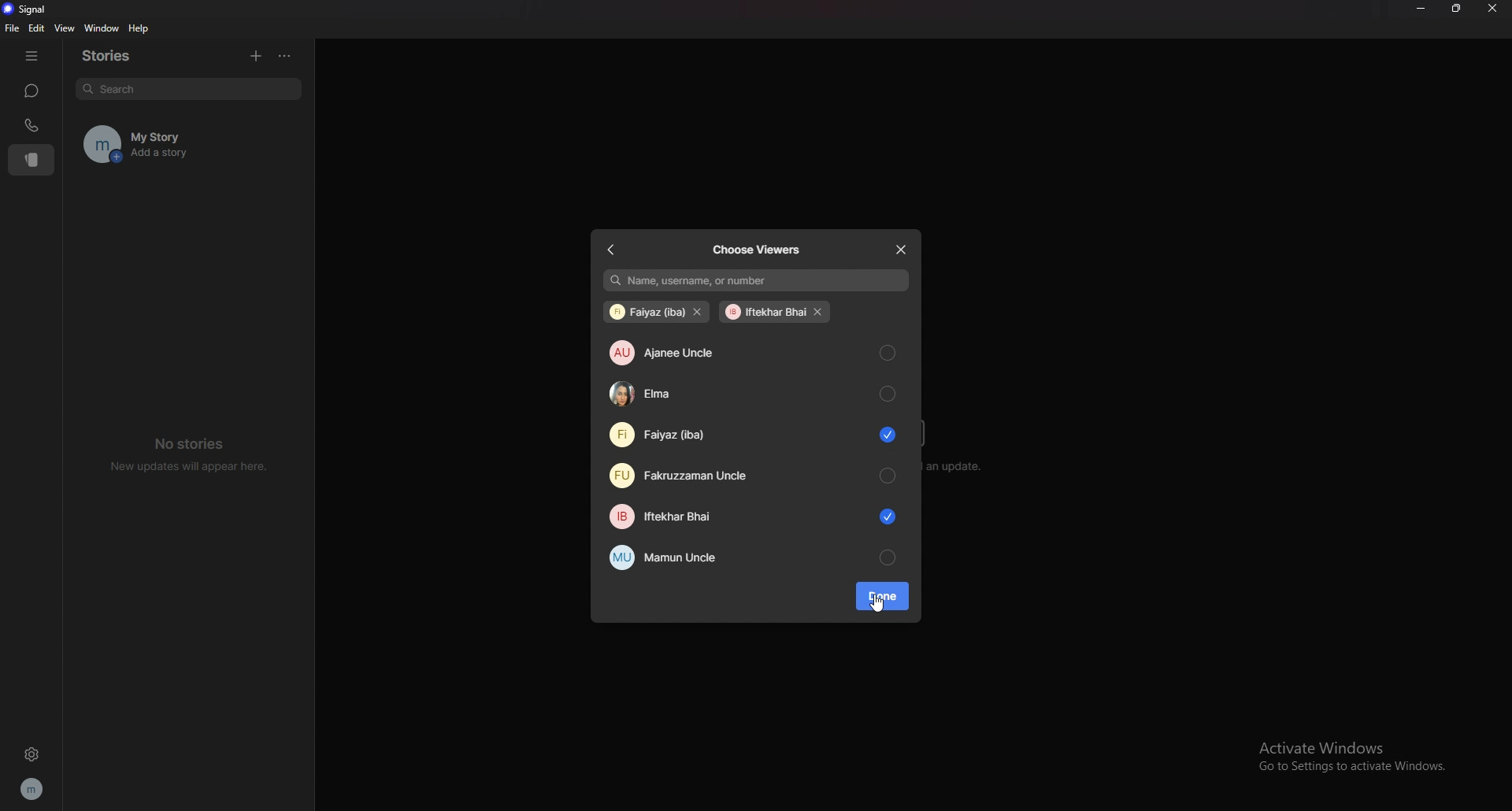 The image size is (1512, 811). Describe the element at coordinates (752, 282) in the screenshot. I see `name, username, or number` at that location.